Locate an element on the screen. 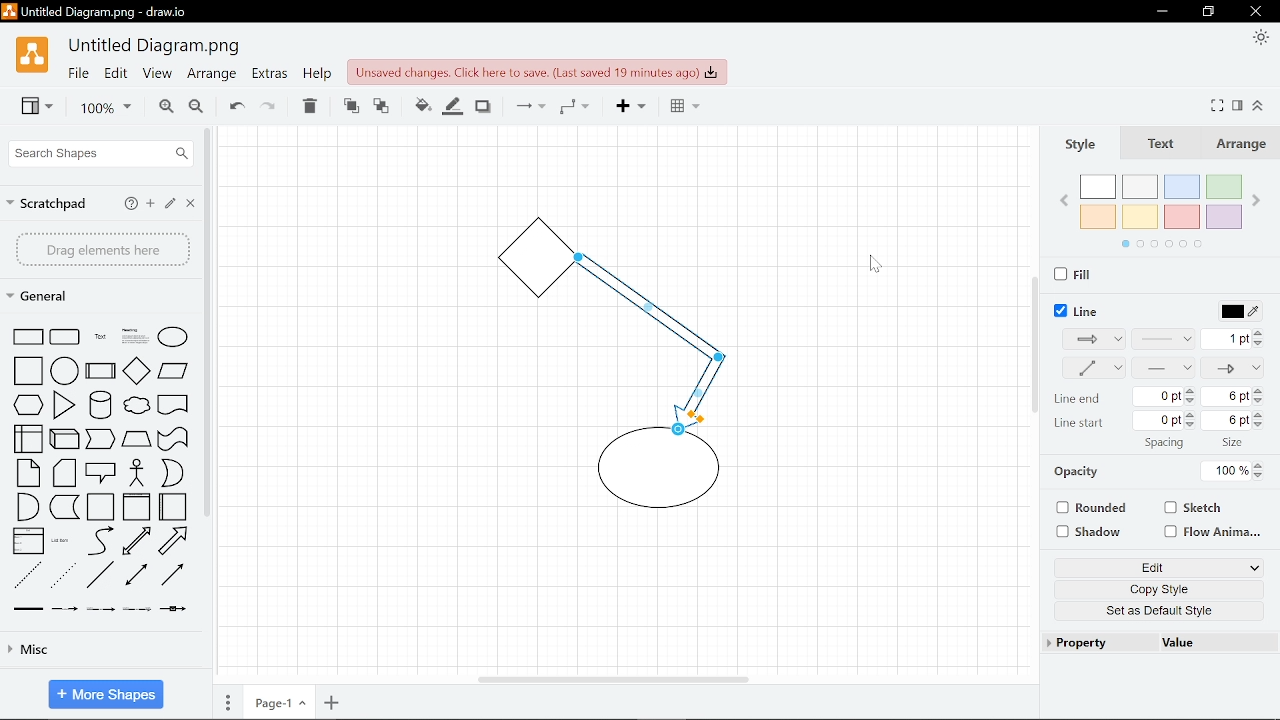 Image resolution: width=1280 pixels, height=720 pixels. shape is located at coordinates (29, 406).